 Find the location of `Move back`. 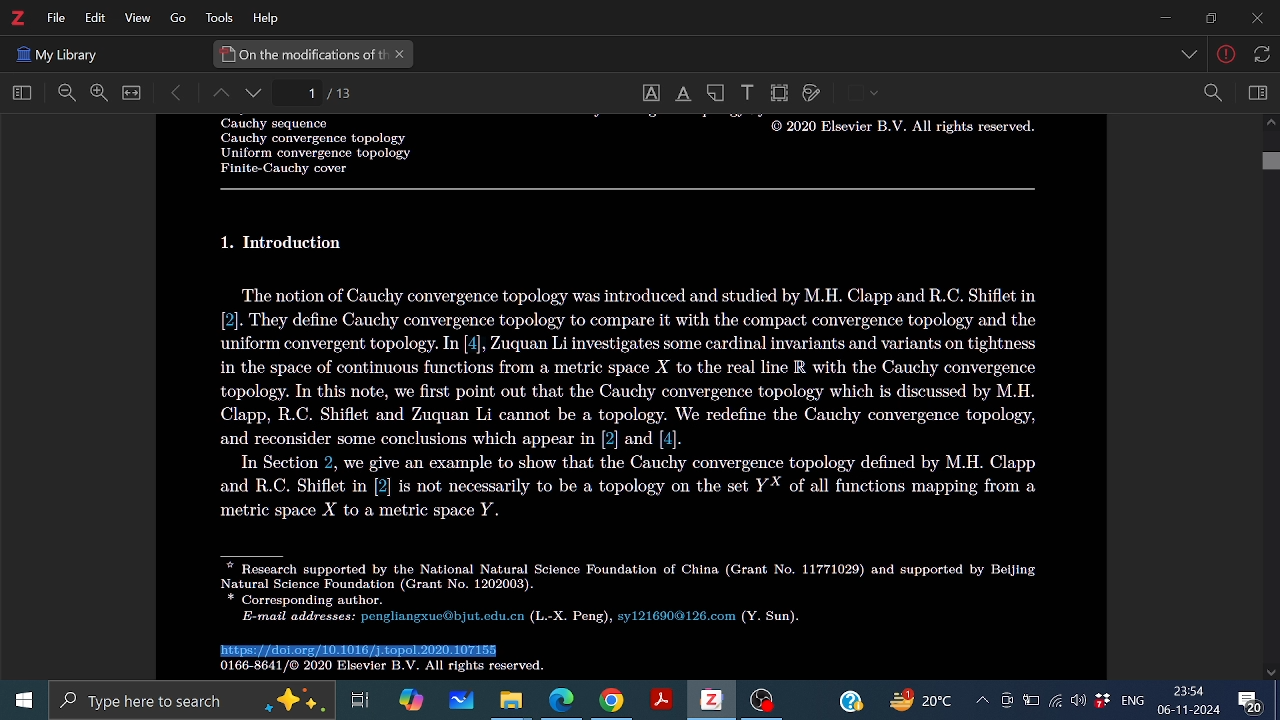

Move back is located at coordinates (177, 93).